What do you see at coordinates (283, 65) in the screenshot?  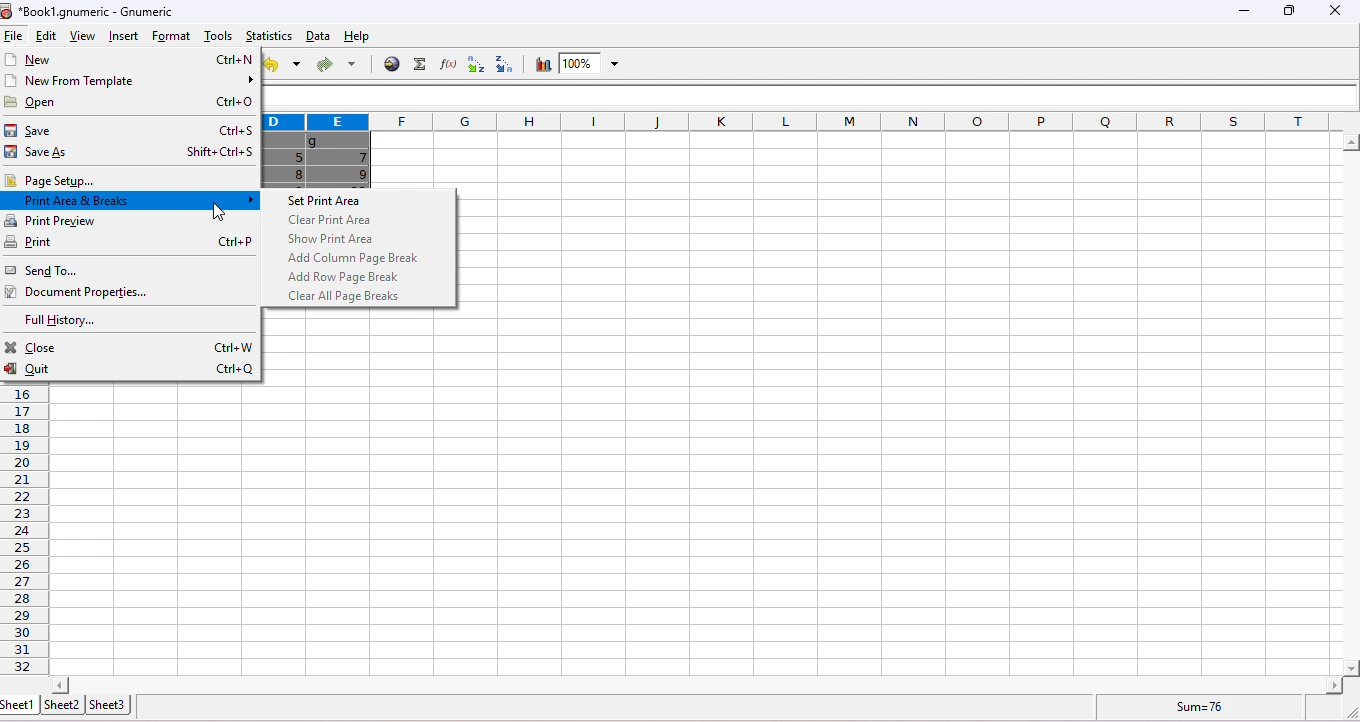 I see `undo` at bounding box center [283, 65].